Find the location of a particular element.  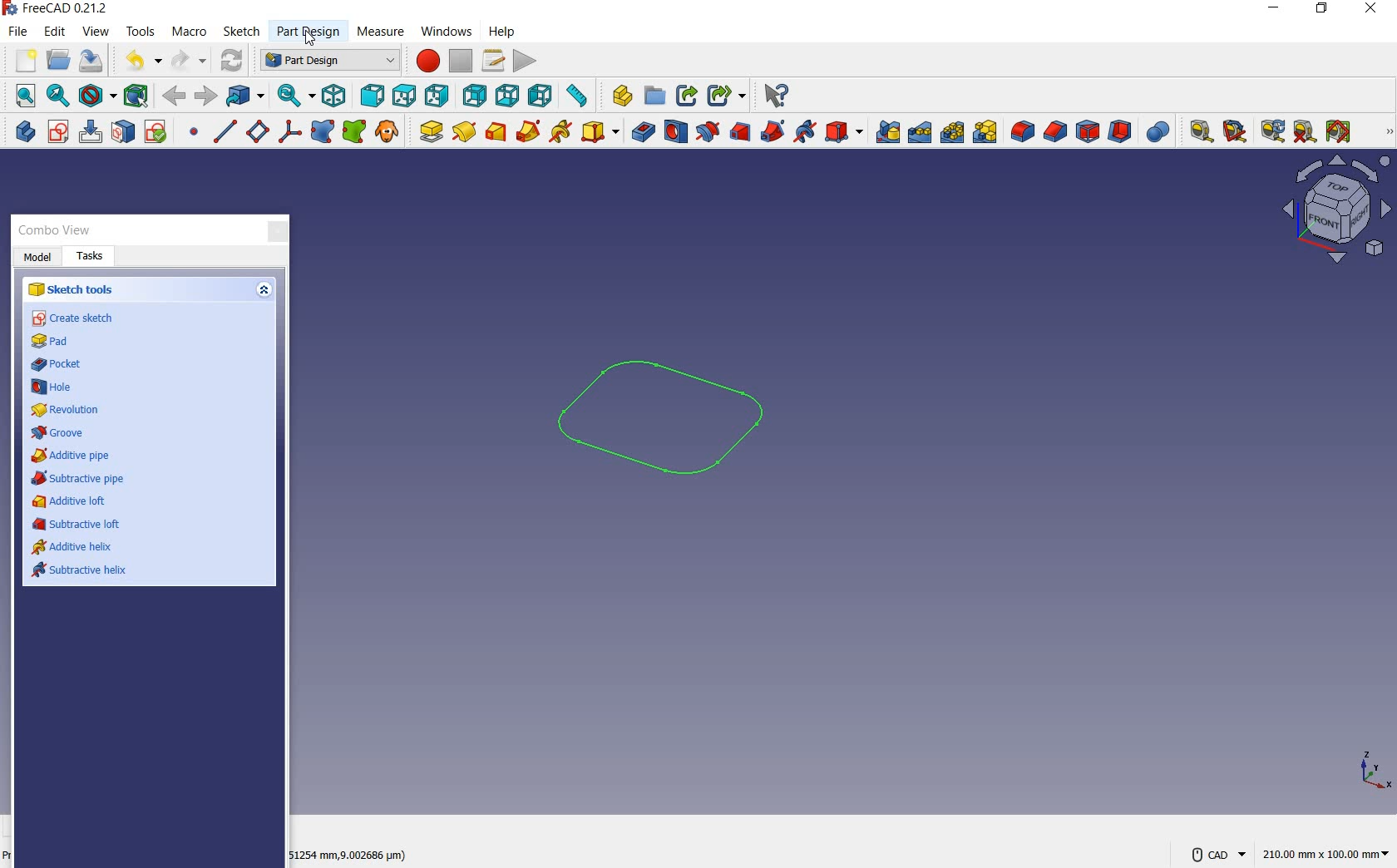

fit all is located at coordinates (23, 96).